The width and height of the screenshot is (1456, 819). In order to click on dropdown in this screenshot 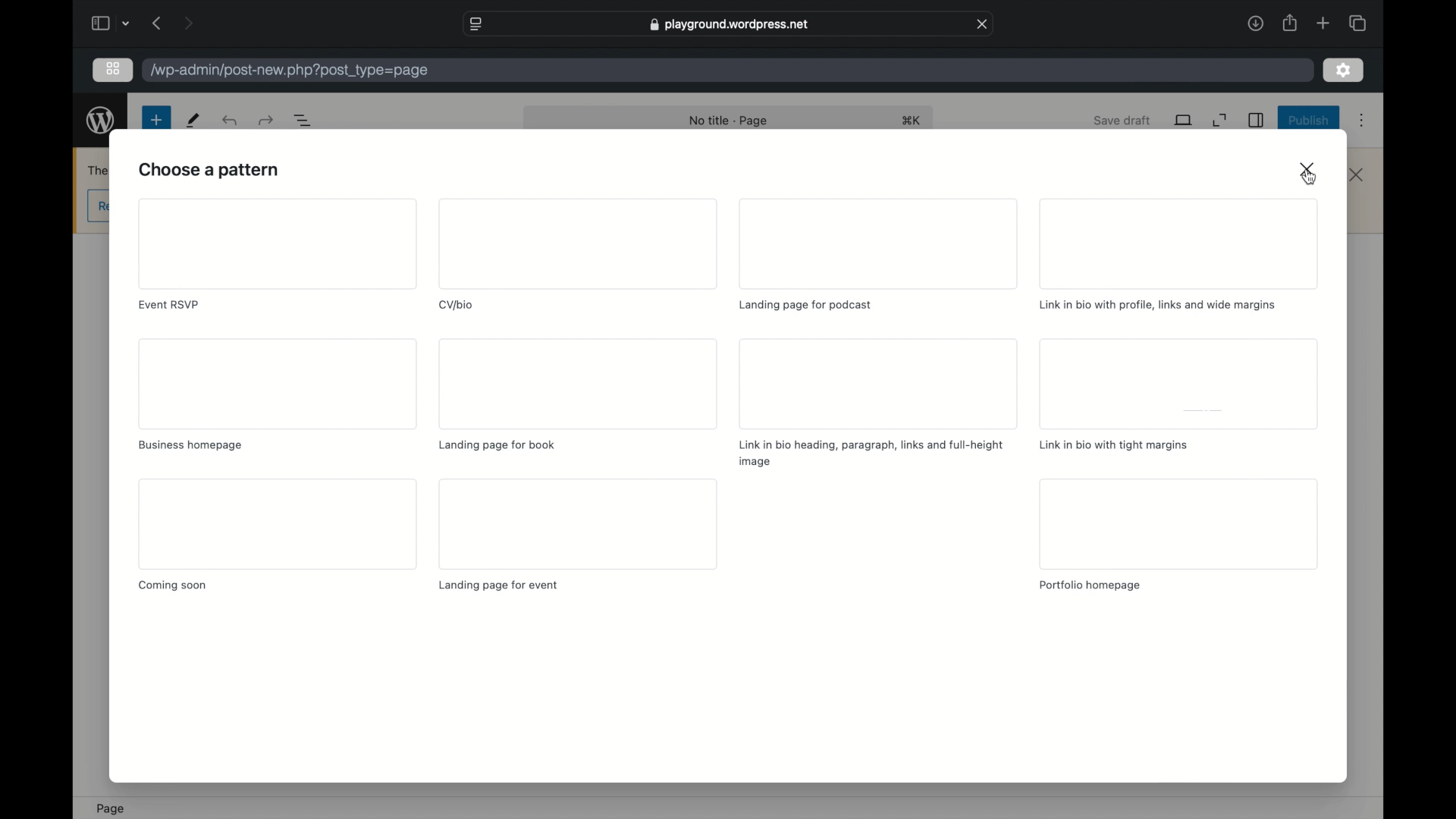, I will do `click(127, 24)`.